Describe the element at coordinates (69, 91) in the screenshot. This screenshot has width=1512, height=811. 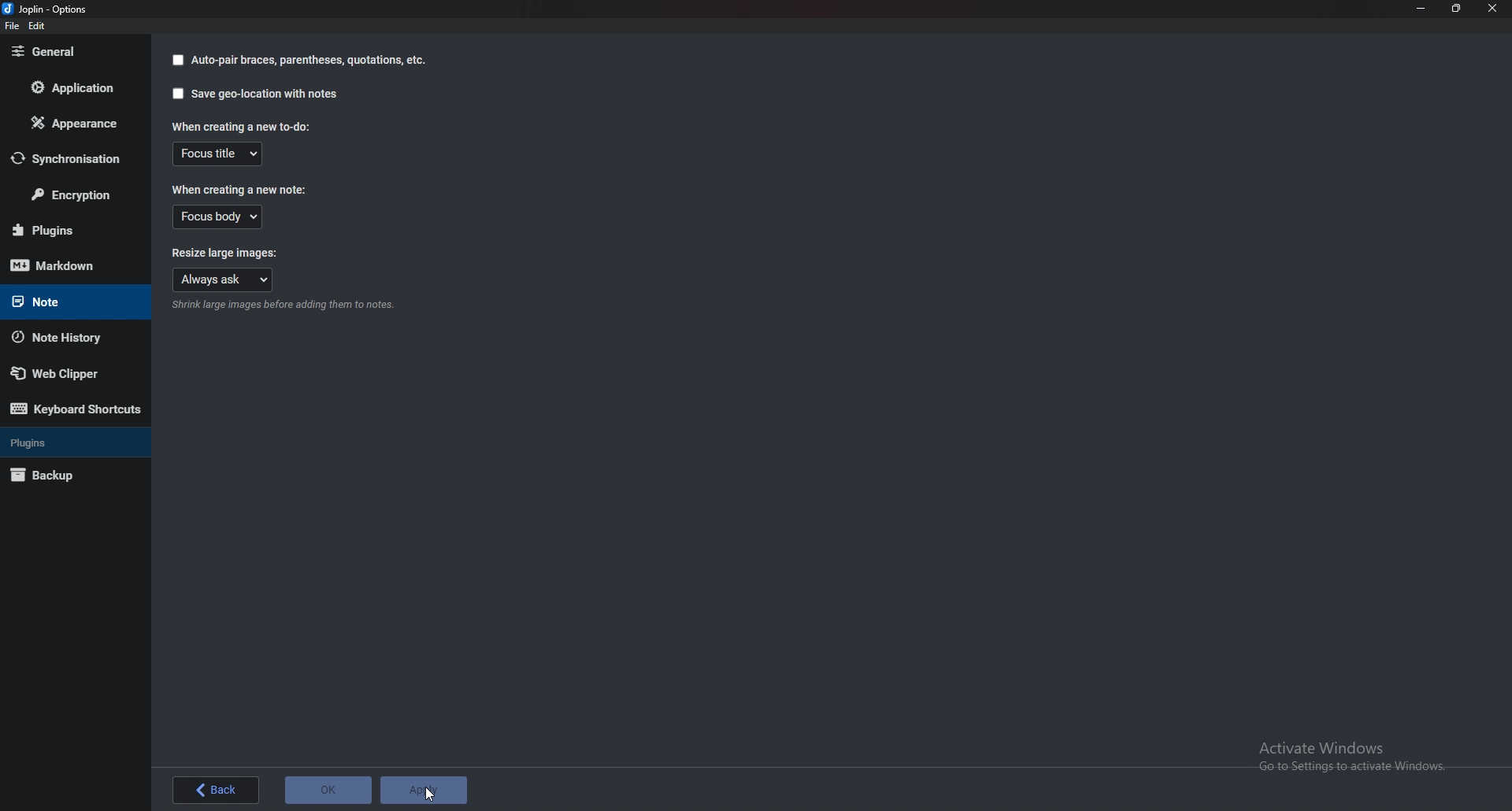
I see `Application` at that location.